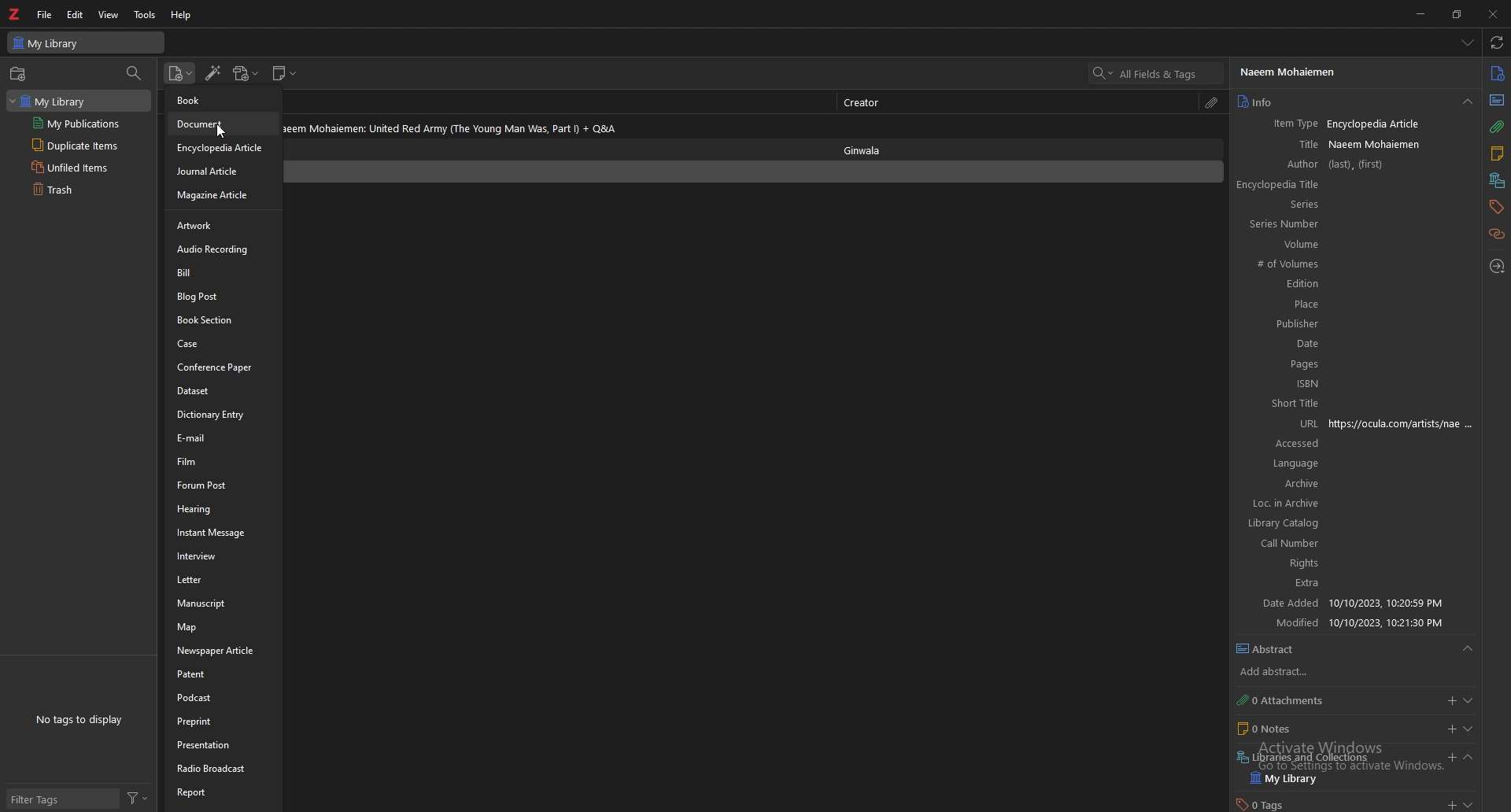 Image resolution: width=1511 pixels, height=812 pixels. What do you see at coordinates (73, 146) in the screenshot?
I see `duplicate items` at bounding box center [73, 146].